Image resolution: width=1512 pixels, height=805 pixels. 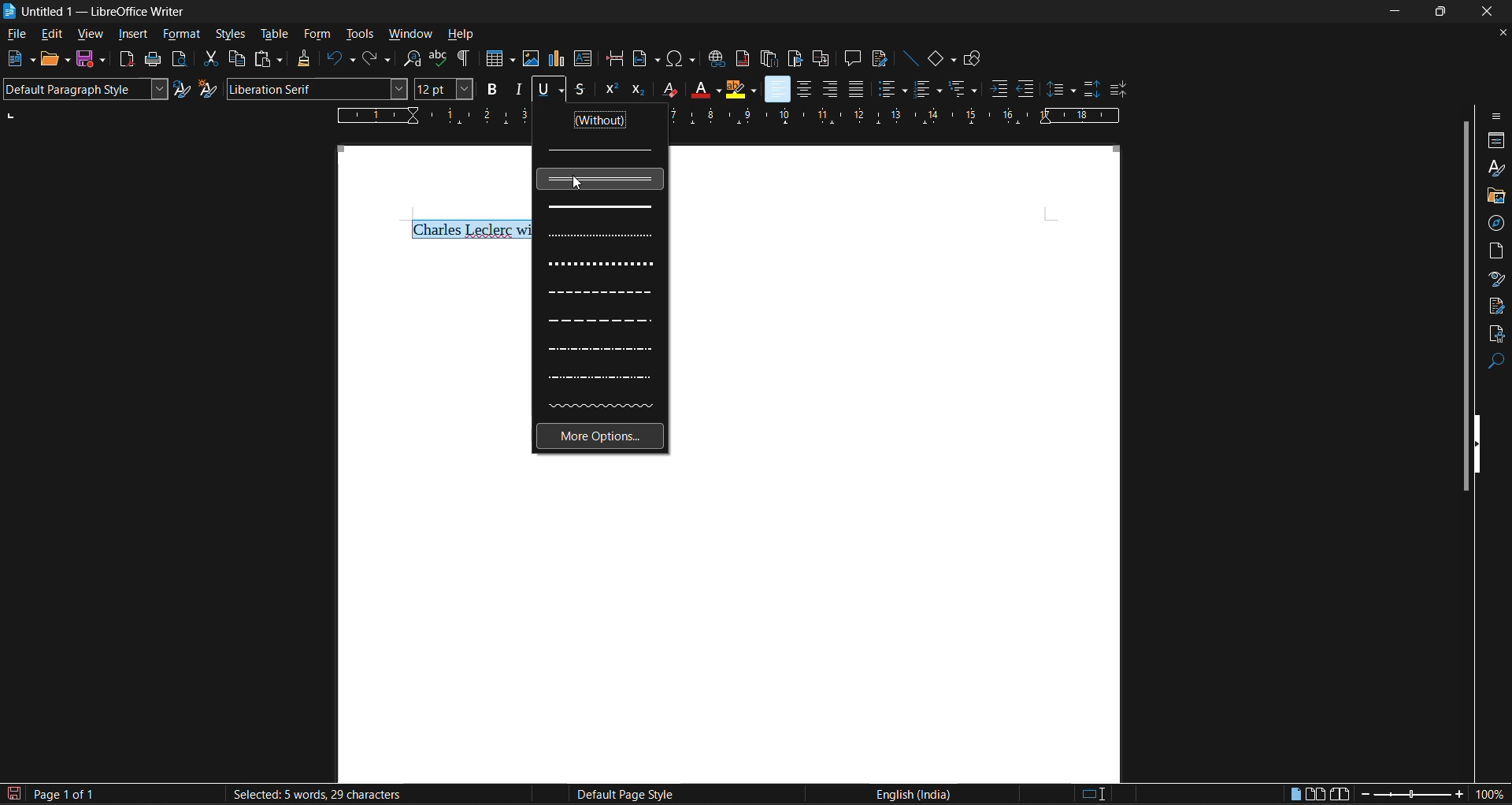 What do you see at coordinates (943, 59) in the screenshot?
I see `basic shapes` at bounding box center [943, 59].